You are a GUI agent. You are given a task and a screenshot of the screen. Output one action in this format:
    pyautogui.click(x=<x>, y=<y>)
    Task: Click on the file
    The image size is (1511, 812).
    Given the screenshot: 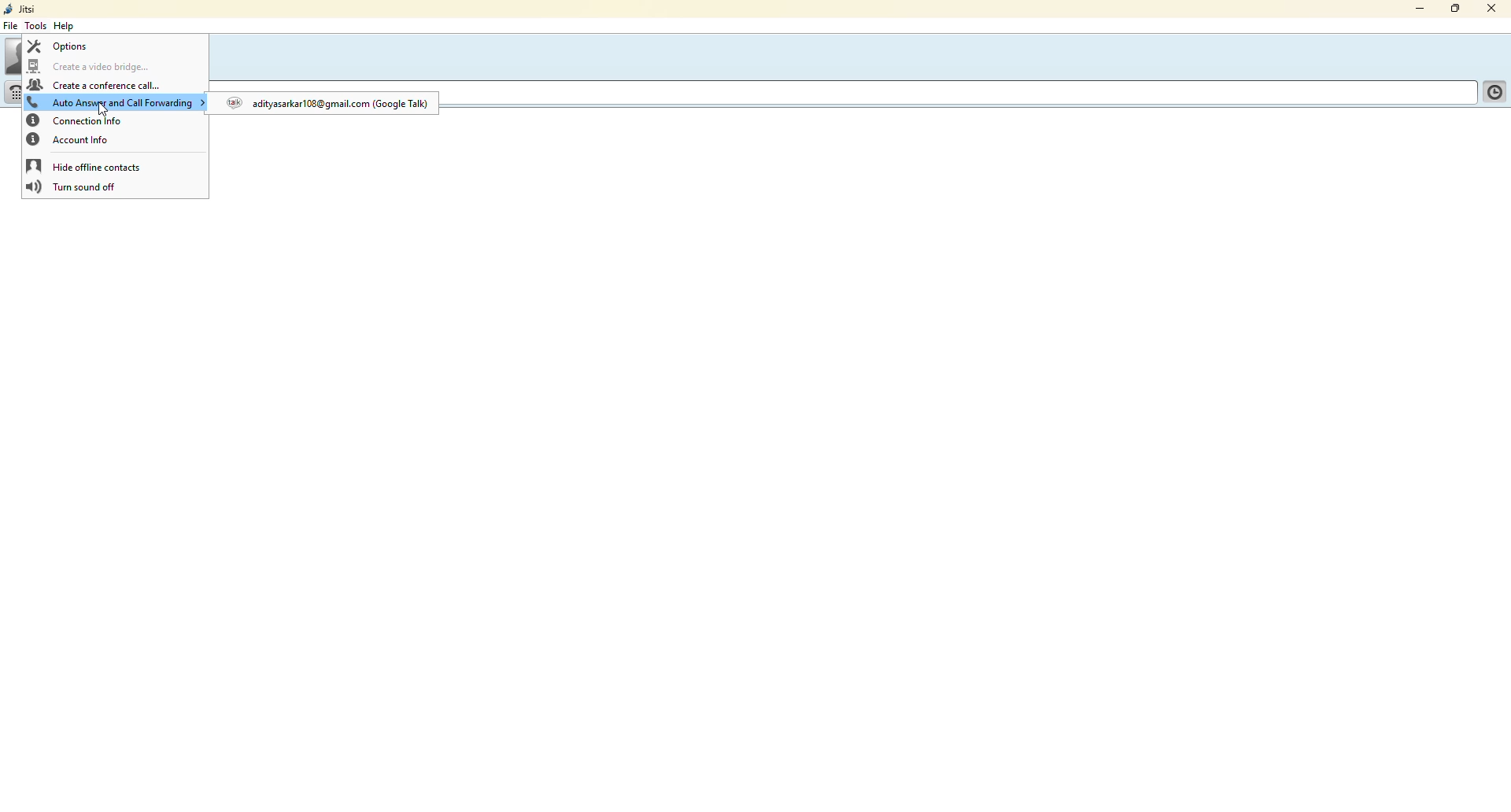 What is the action you would take?
    pyautogui.click(x=13, y=27)
    